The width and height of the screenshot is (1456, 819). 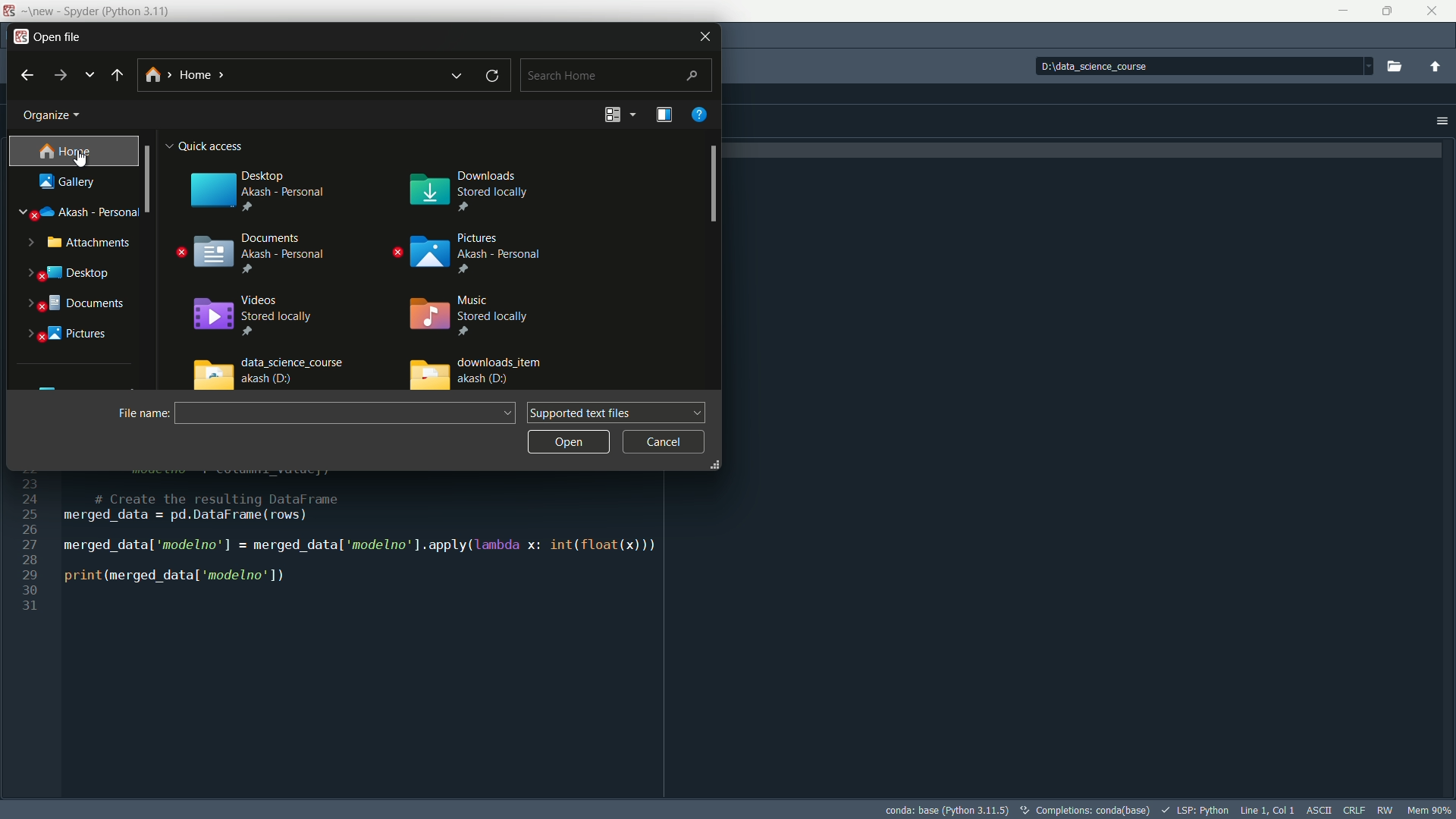 I want to click on documents, so click(x=251, y=253).